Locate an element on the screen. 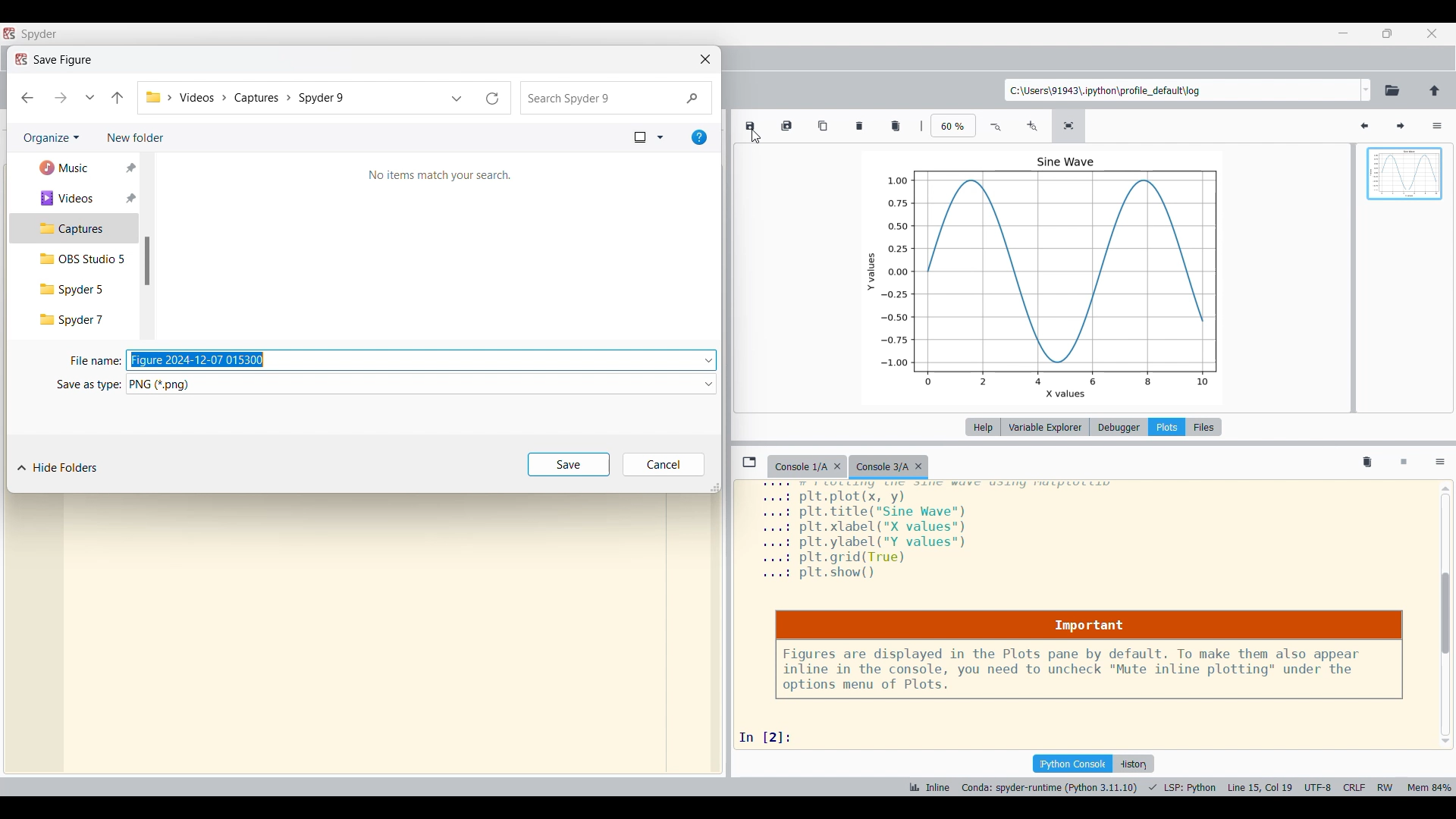 The height and width of the screenshot is (819, 1456). Go to previous folder is located at coordinates (117, 99).